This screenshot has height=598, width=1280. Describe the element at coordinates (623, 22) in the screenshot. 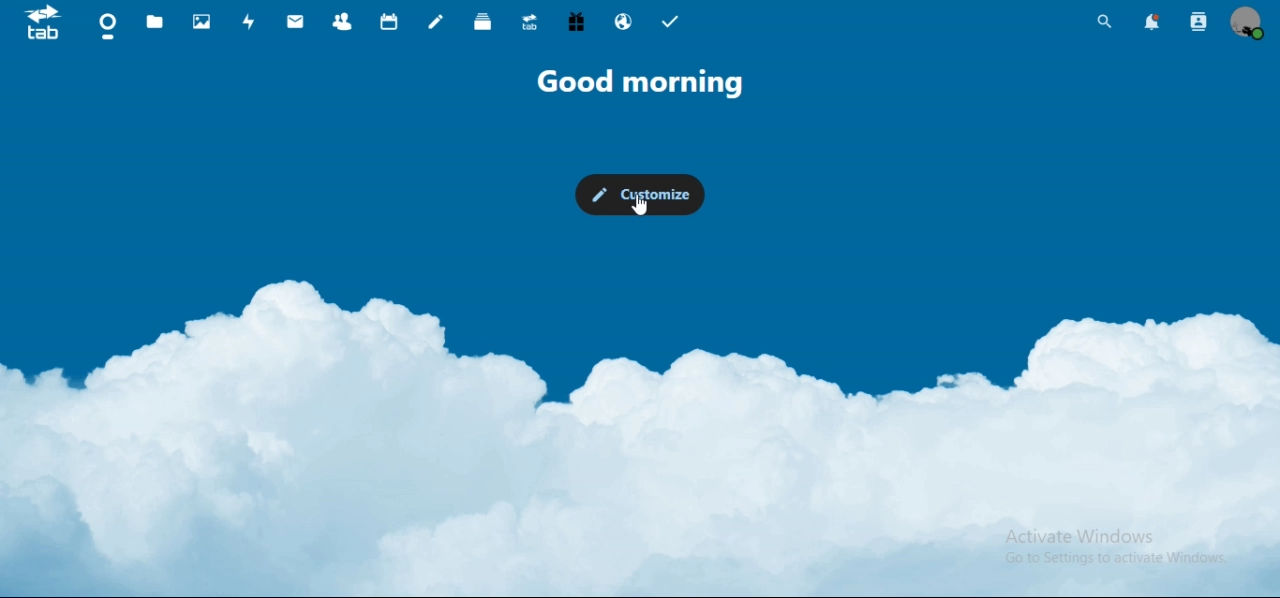

I see `email hosting` at that location.